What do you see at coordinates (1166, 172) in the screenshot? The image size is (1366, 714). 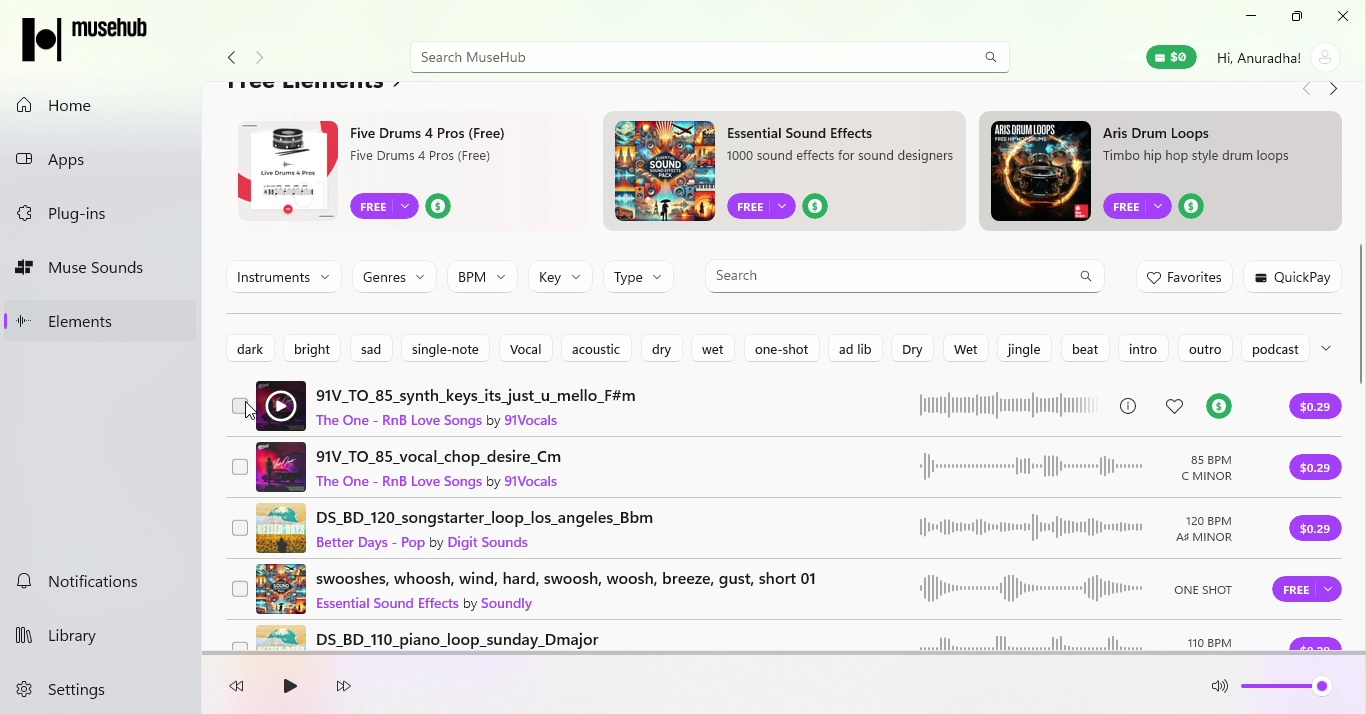 I see `ad` at bounding box center [1166, 172].